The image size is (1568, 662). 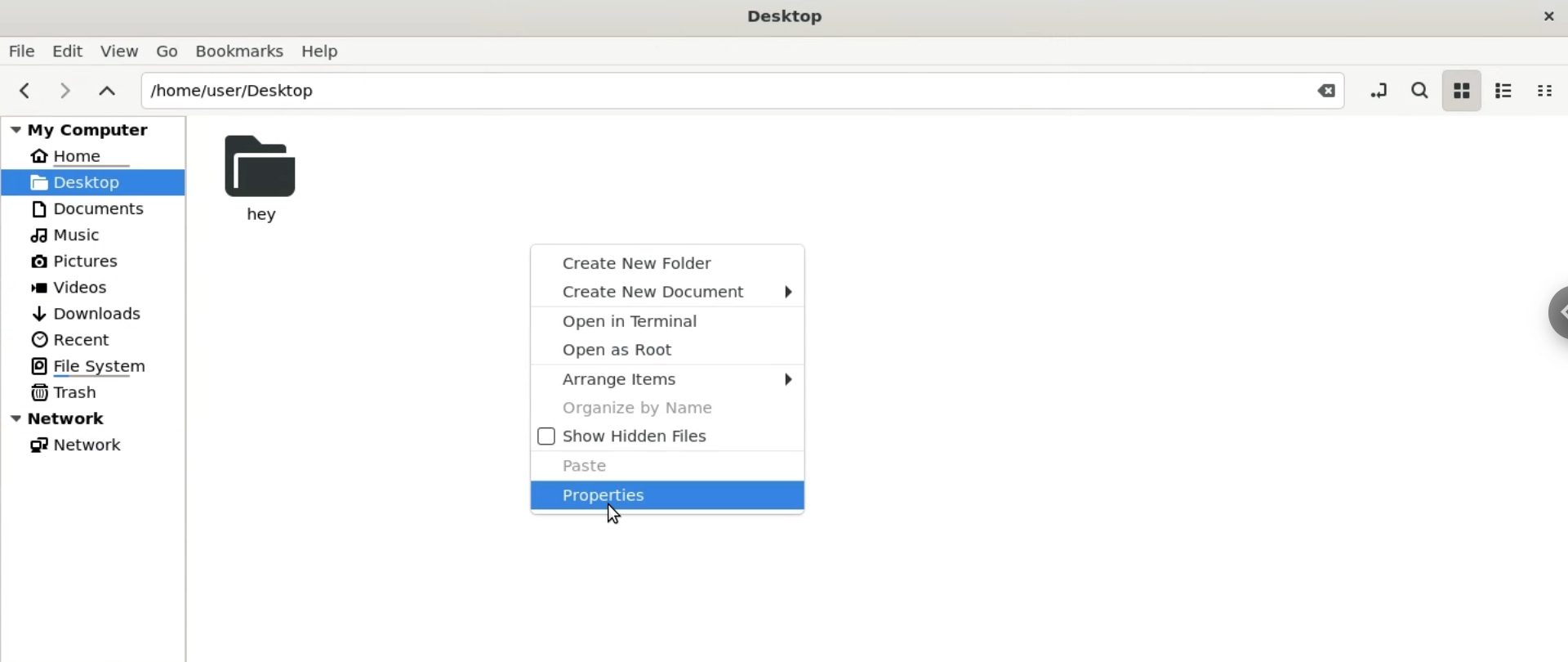 What do you see at coordinates (670, 349) in the screenshot?
I see `open as root` at bounding box center [670, 349].